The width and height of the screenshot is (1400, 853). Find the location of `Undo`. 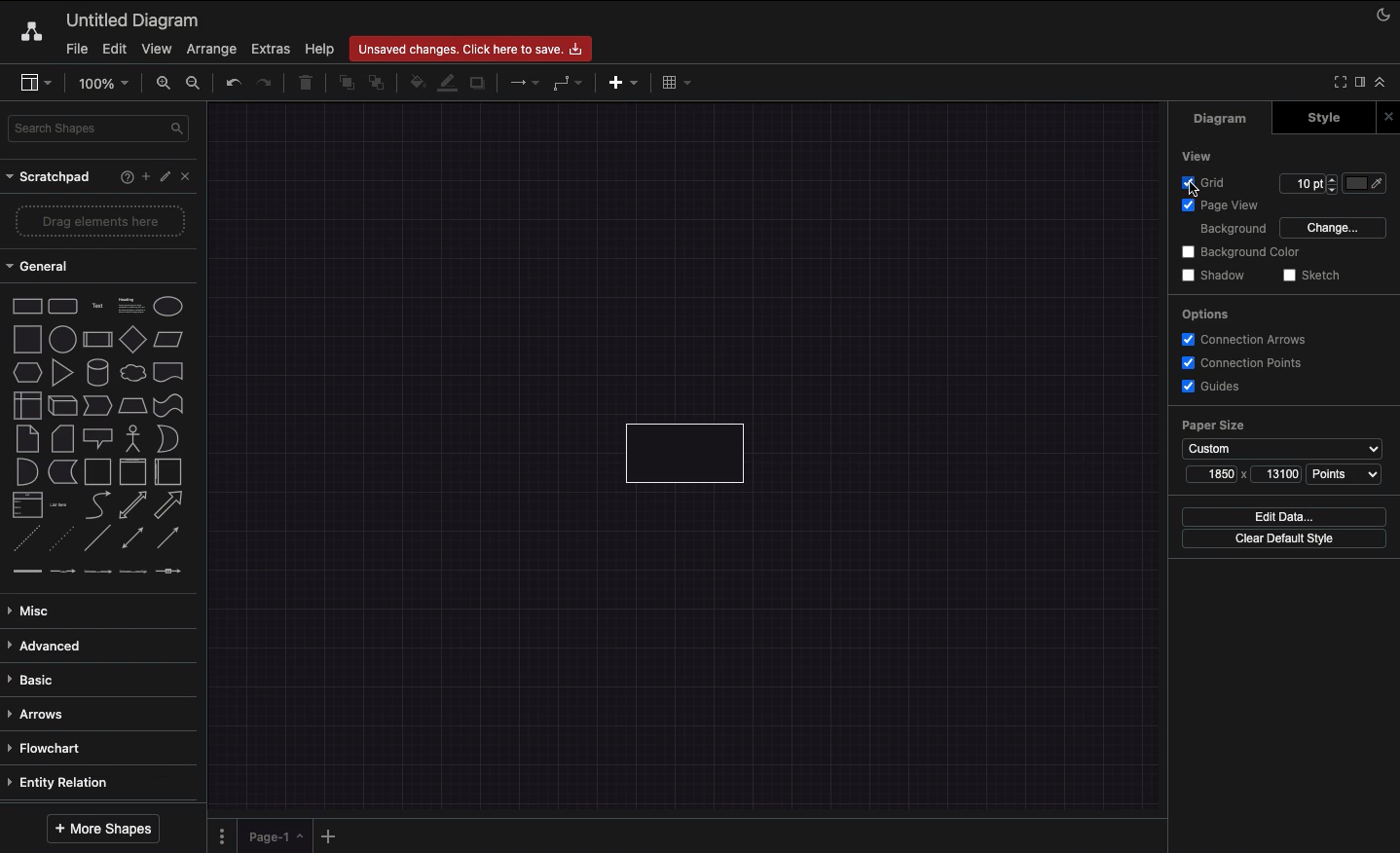

Undo is located at coordinates (235, 84).